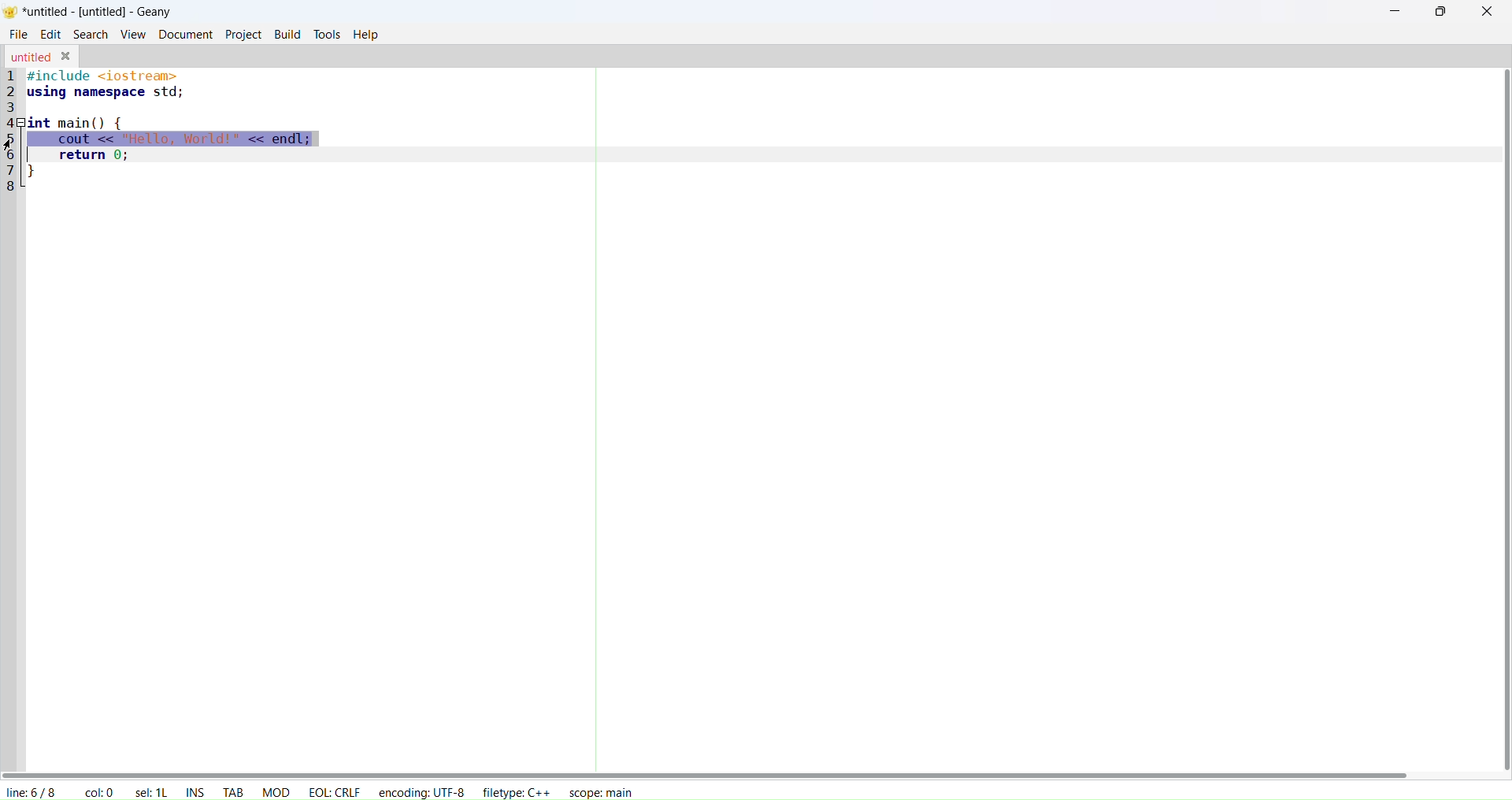 The height and width of the screenshot is (800, 1512). Describe the element at coordinates (174, 139) in the screenshot. I see `highlighted line of code` at that location.